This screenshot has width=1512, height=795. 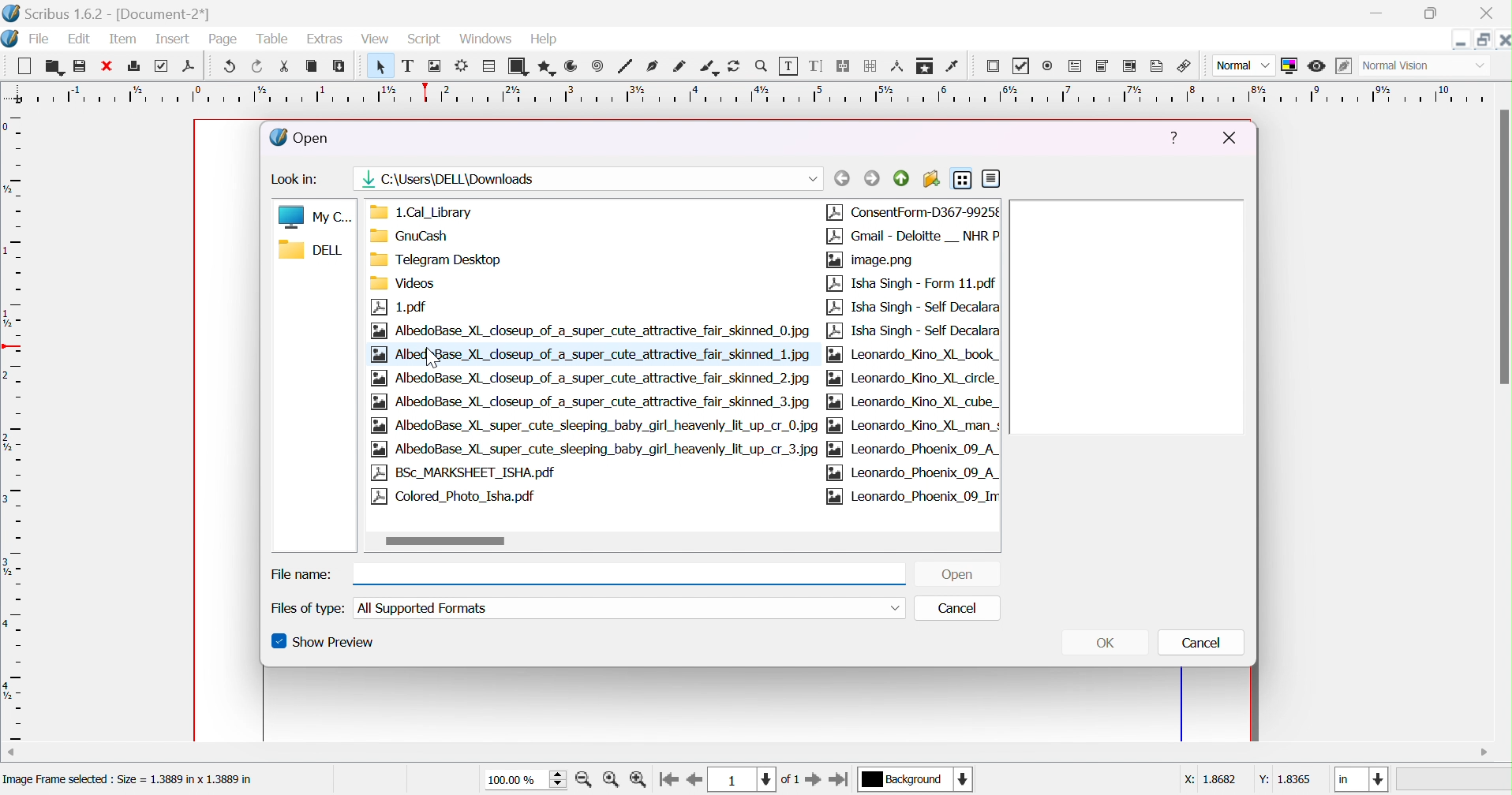 I want to click on parent directory, so click(x=900, y=177).